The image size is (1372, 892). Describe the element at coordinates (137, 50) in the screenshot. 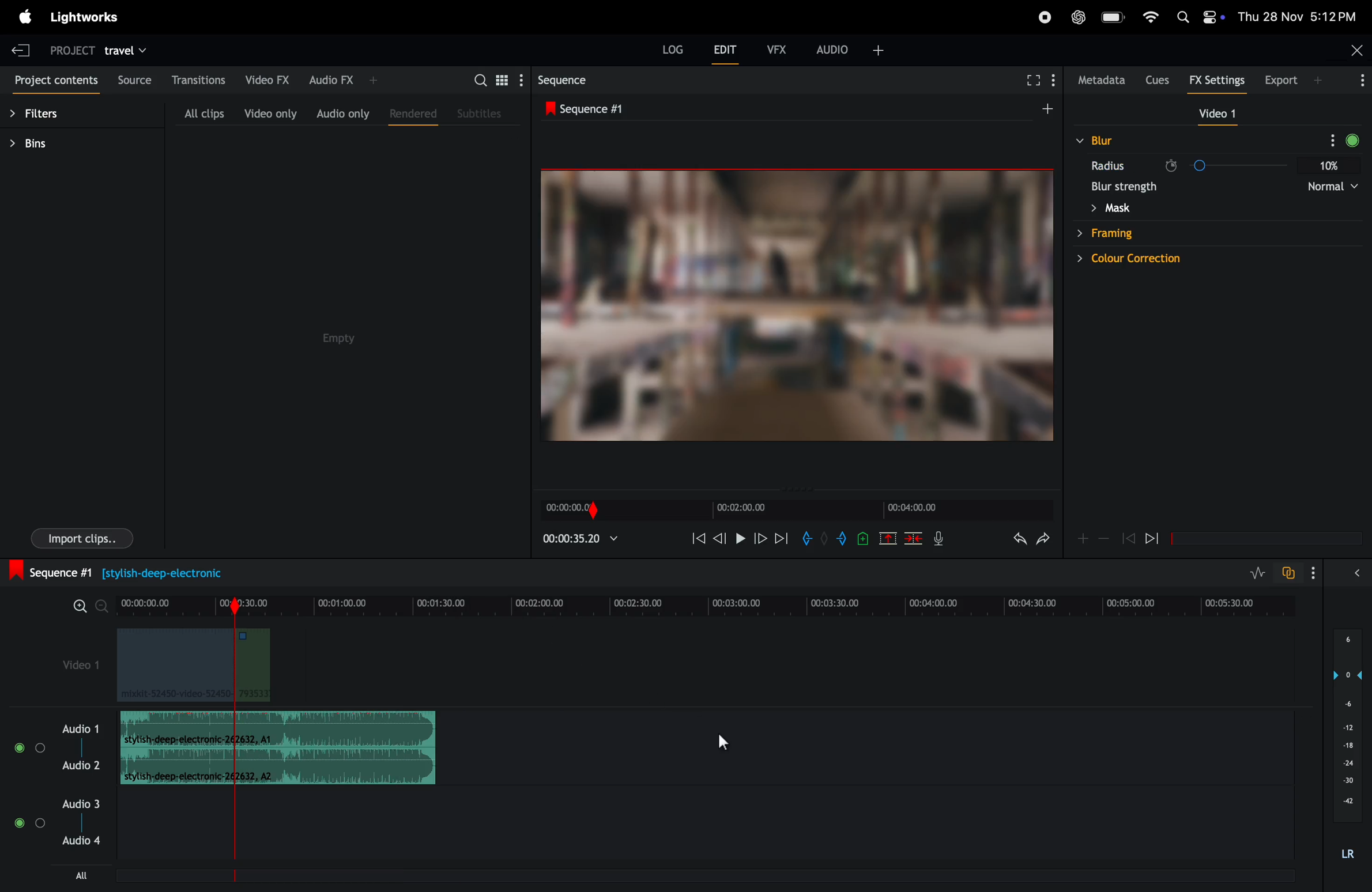

I see `travel` at that location.